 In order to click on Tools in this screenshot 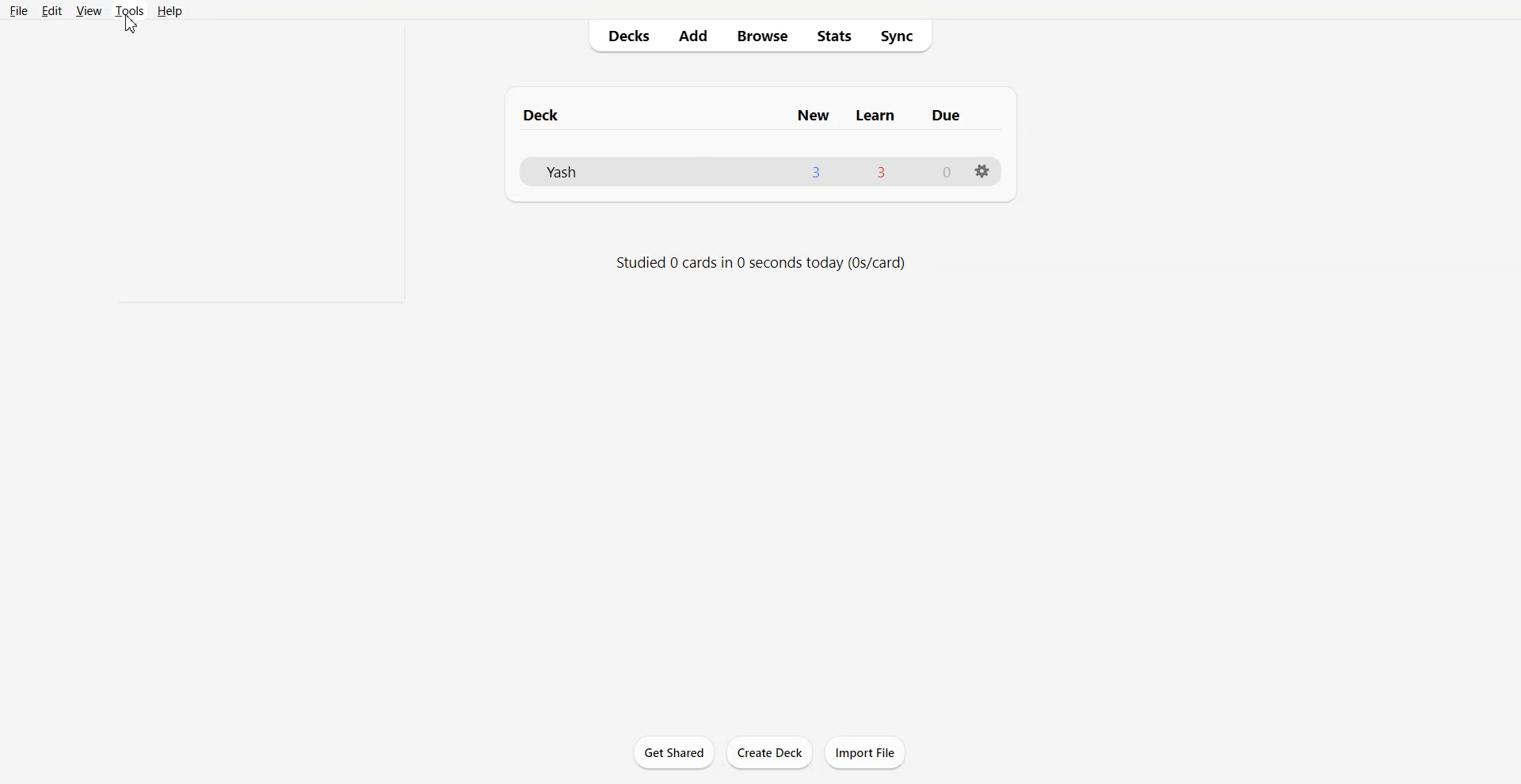, I will do `click(130, 10)`.